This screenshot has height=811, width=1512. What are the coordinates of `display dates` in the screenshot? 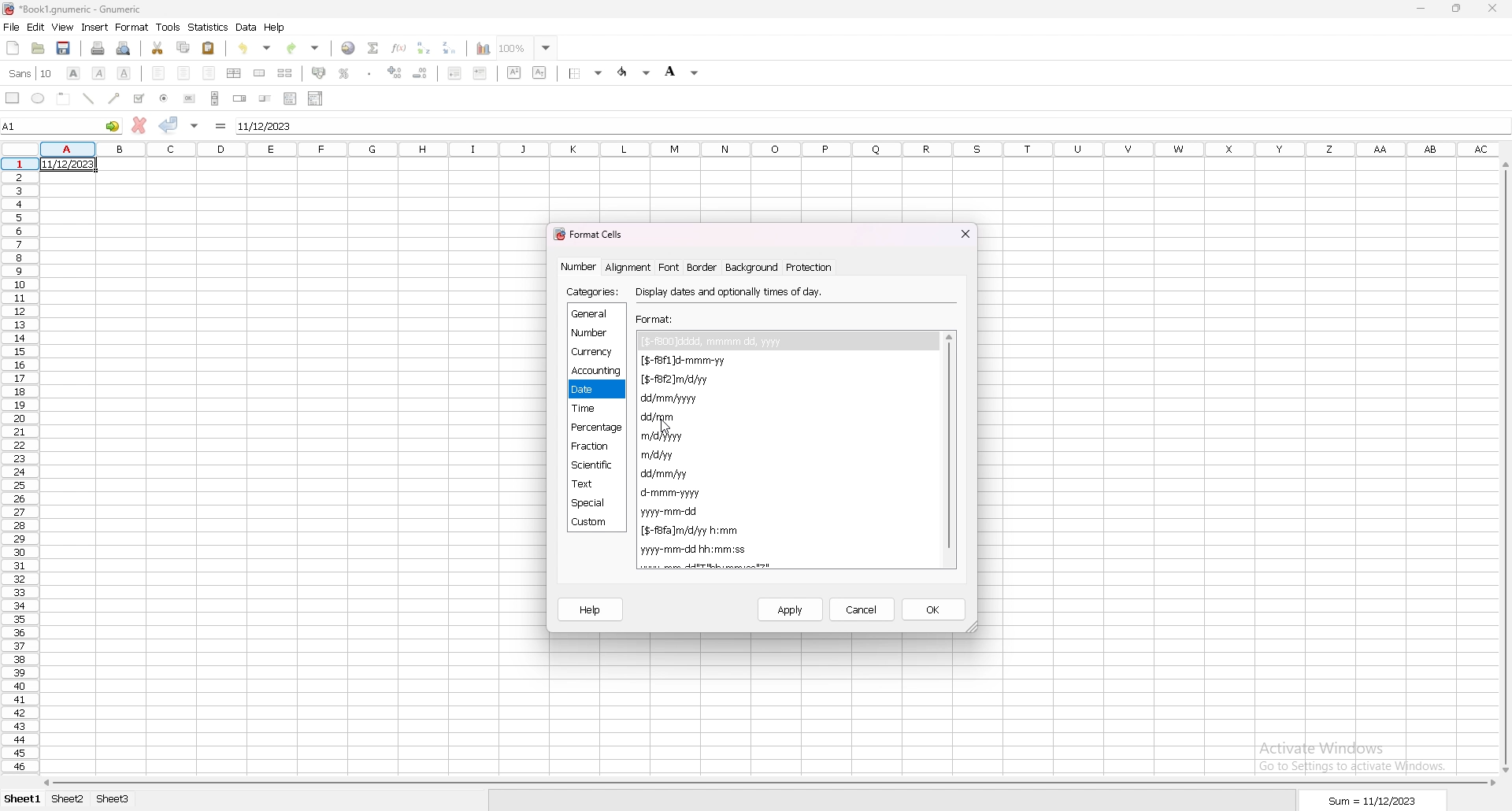 It's located at (732, 291).